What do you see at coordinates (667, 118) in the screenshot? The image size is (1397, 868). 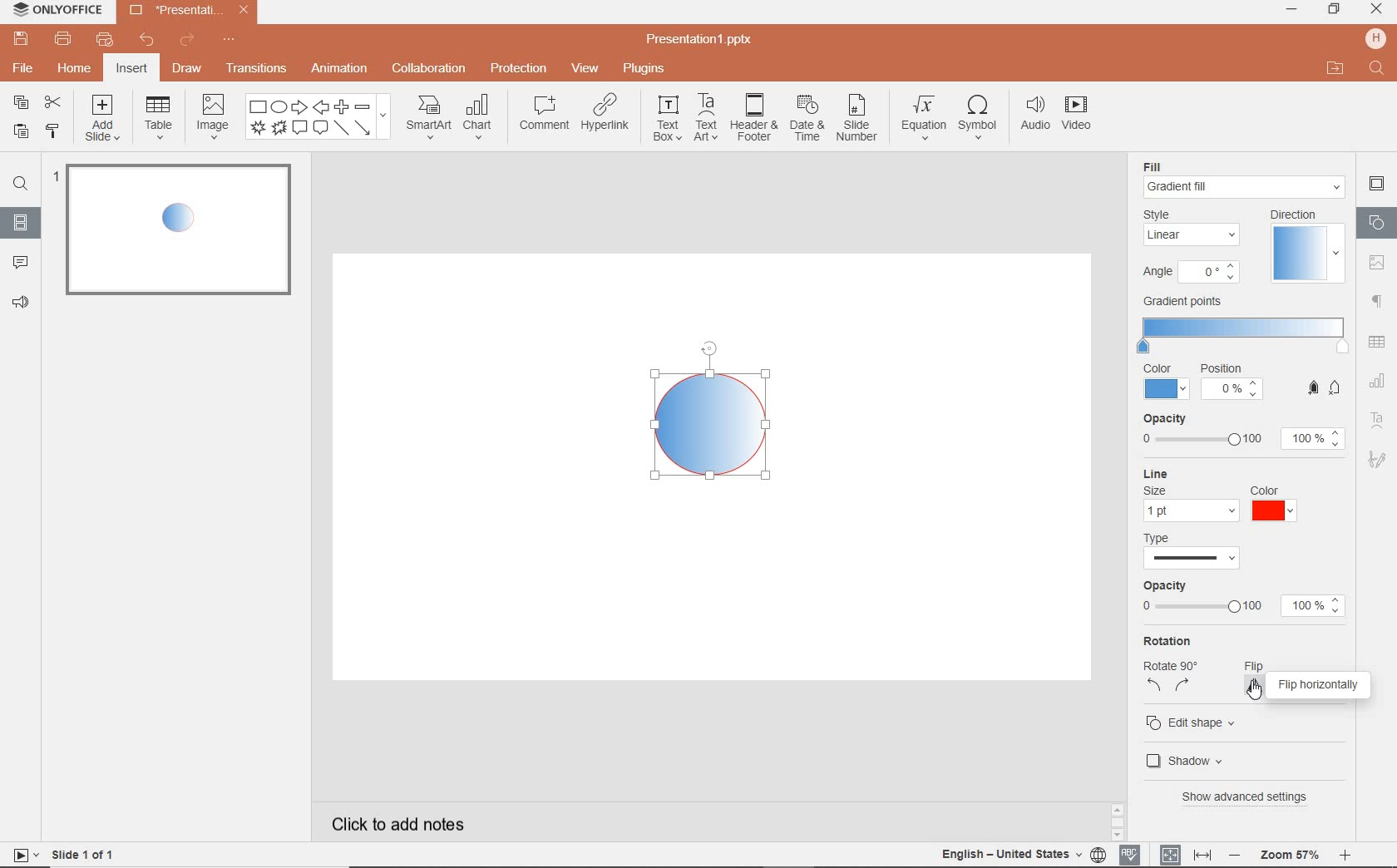 I see `text box` at bounding box center [667, 118].